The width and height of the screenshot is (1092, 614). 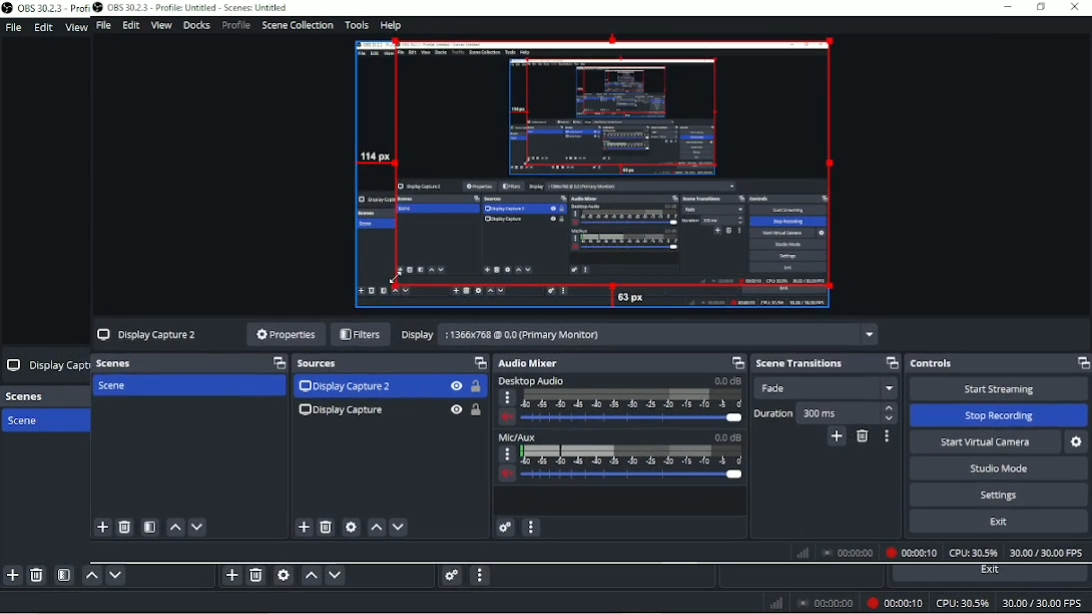 What do you see at coordinates (339, 410) in the screenshot?
I see `Display Capture` at bounding box center [339, 410].